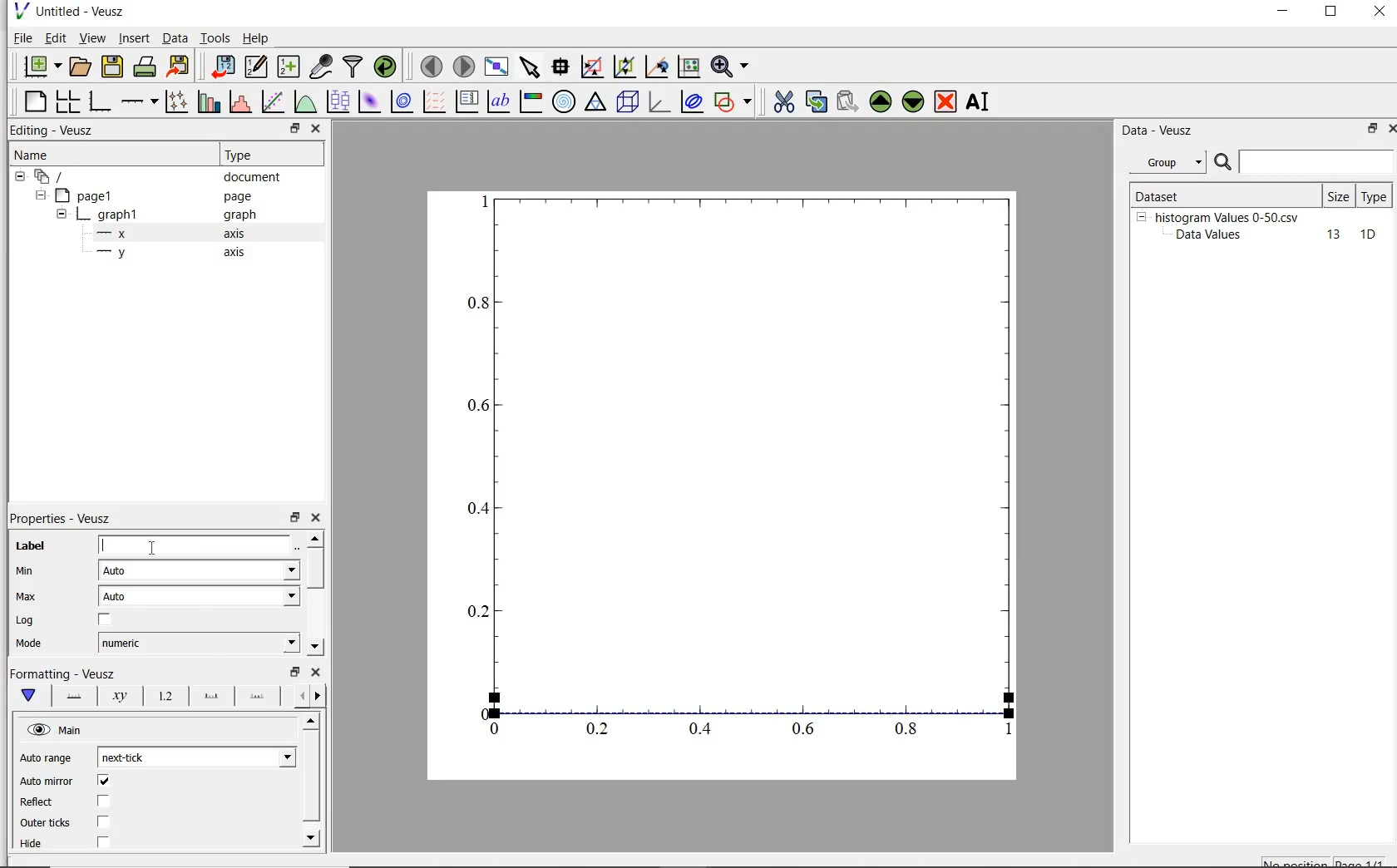 Image resolution: width=1397 pixels, height=868 pixels. Describe the element at coordinates (52, 177) in the screenshot. I see `current document` at that location.